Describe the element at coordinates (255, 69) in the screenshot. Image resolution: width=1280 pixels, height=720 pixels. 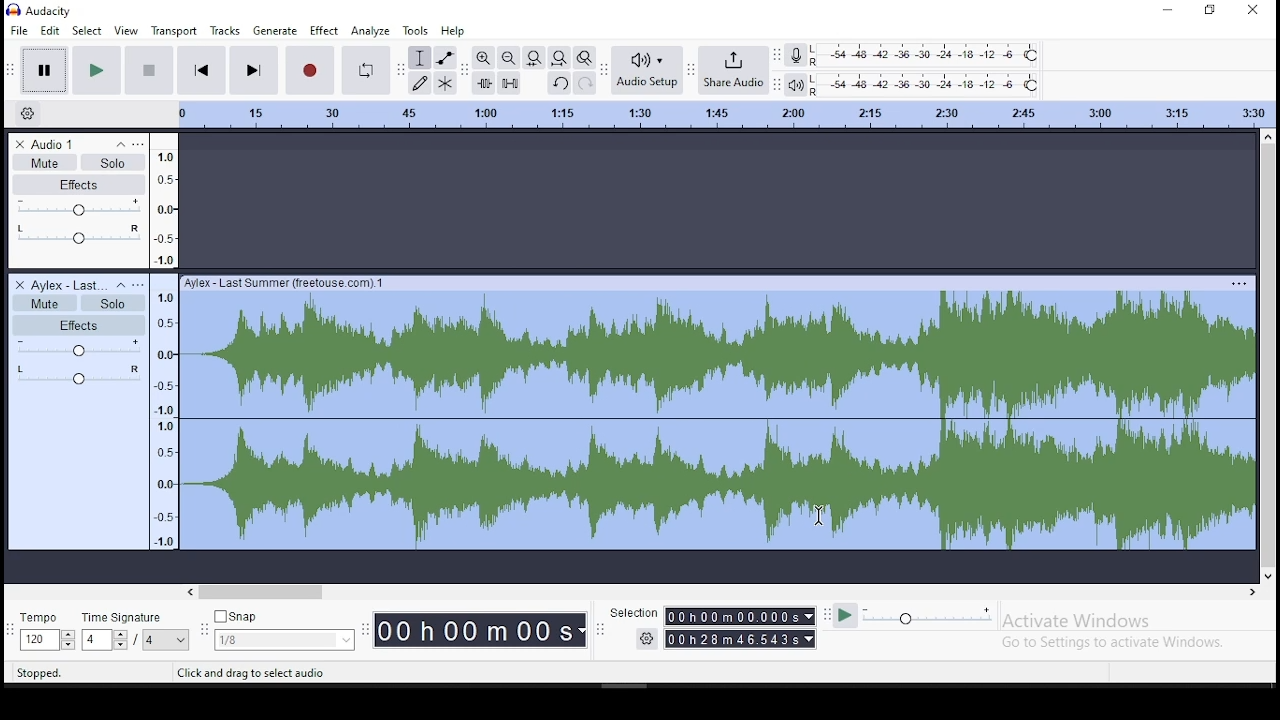
I see `skip to end` at that location.